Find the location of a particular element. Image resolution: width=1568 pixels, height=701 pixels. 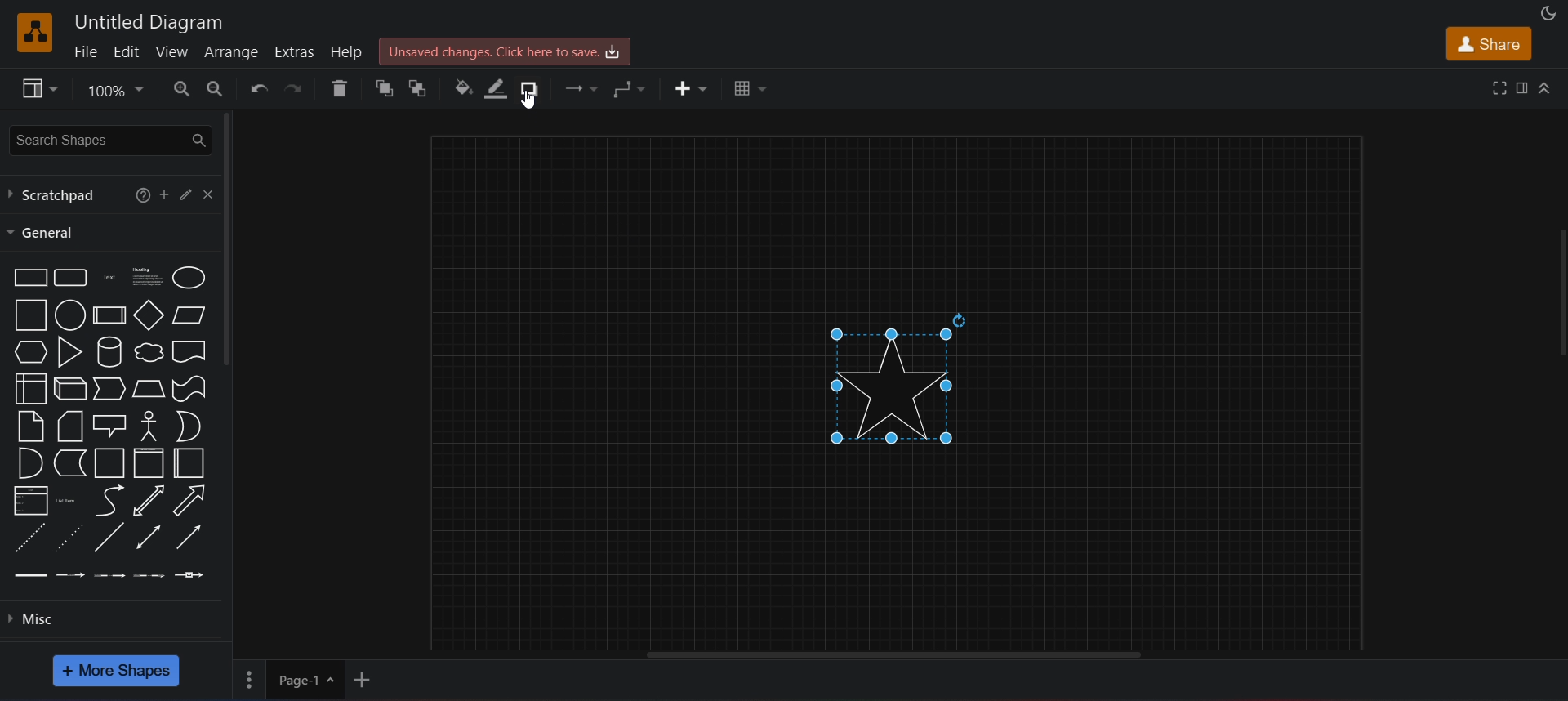

diamond is located at coordinates (149, 314).